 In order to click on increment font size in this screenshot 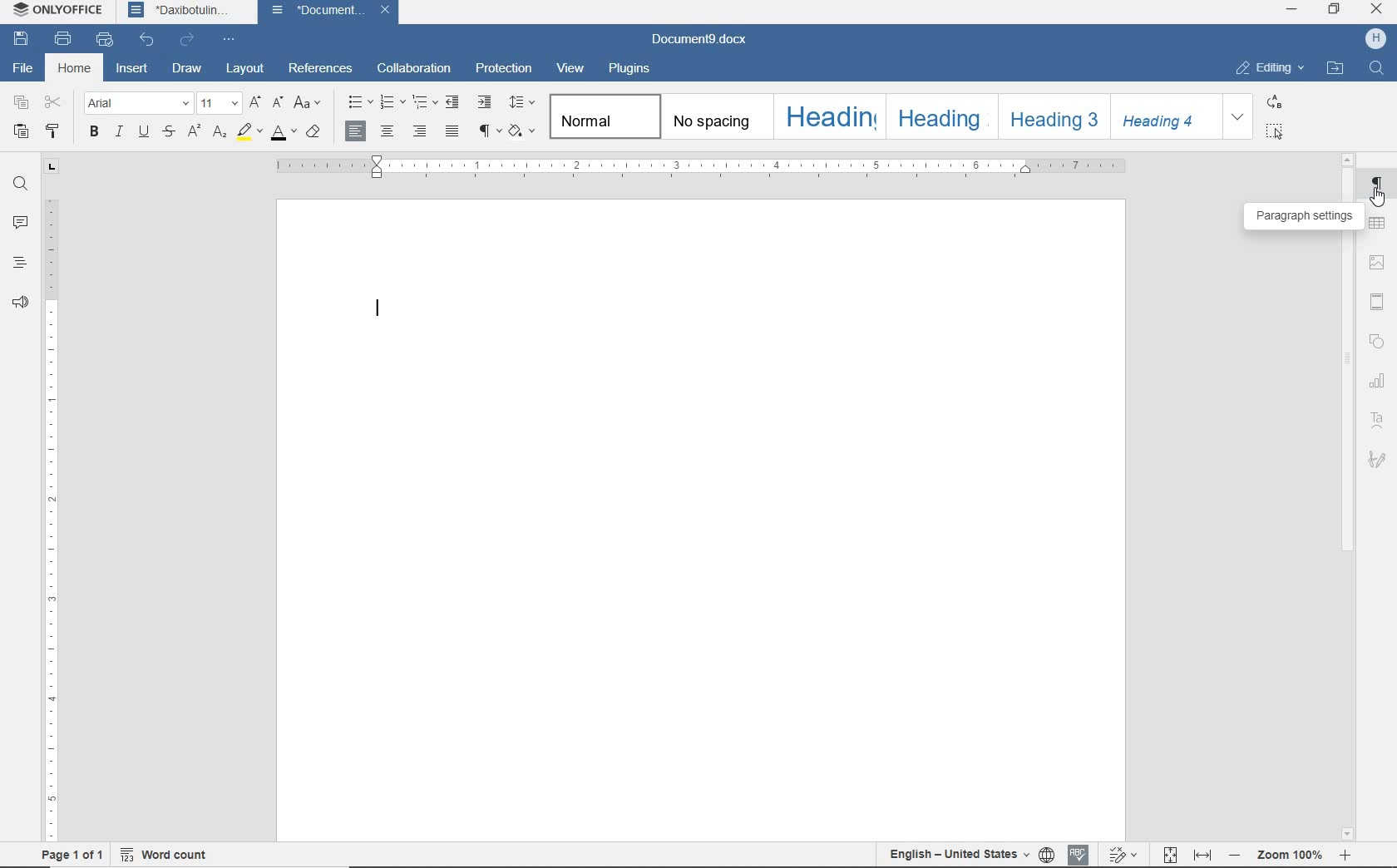, I will do `click(255, 104)`.